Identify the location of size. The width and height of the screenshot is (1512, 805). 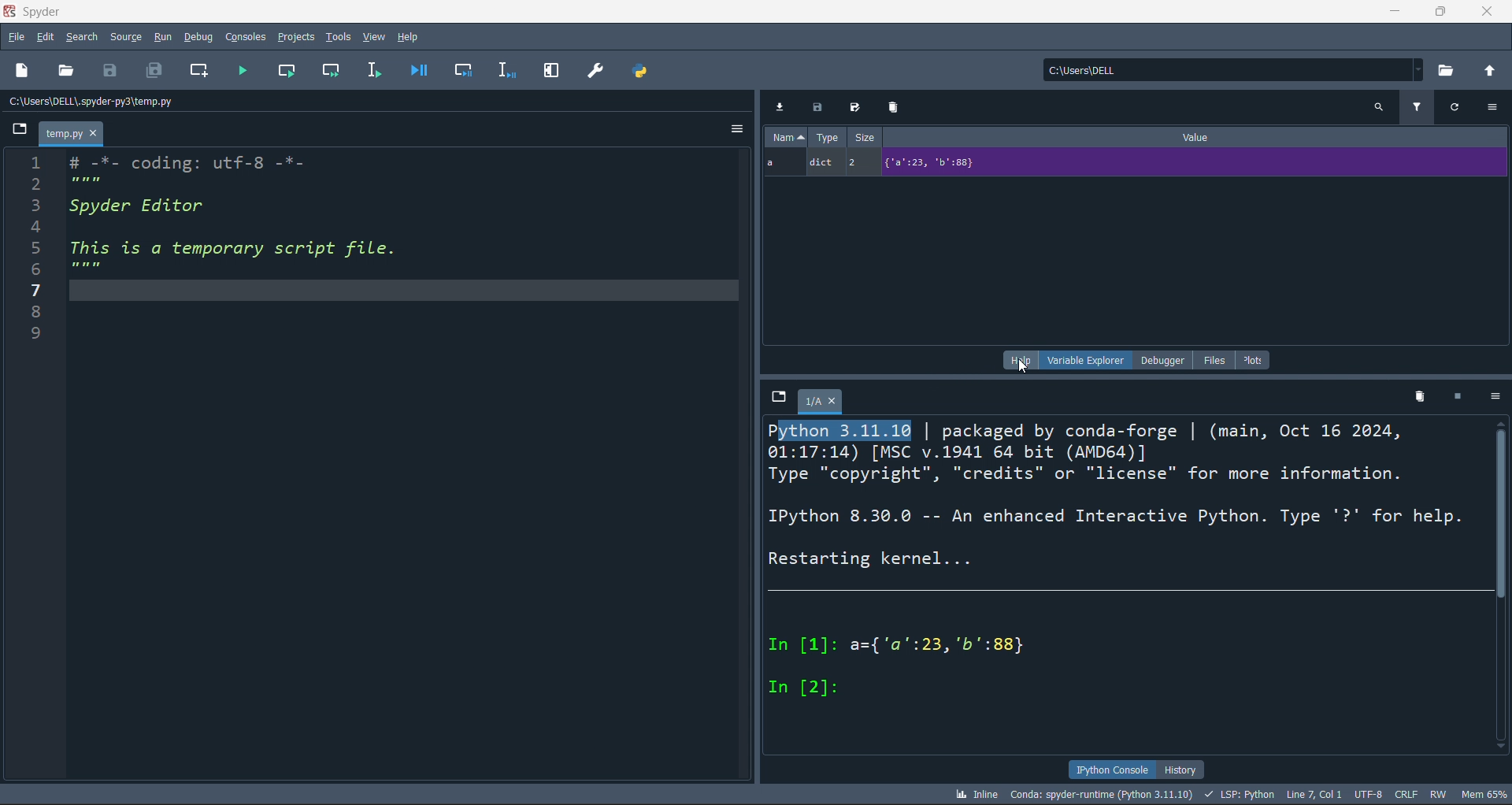
(865, 139).